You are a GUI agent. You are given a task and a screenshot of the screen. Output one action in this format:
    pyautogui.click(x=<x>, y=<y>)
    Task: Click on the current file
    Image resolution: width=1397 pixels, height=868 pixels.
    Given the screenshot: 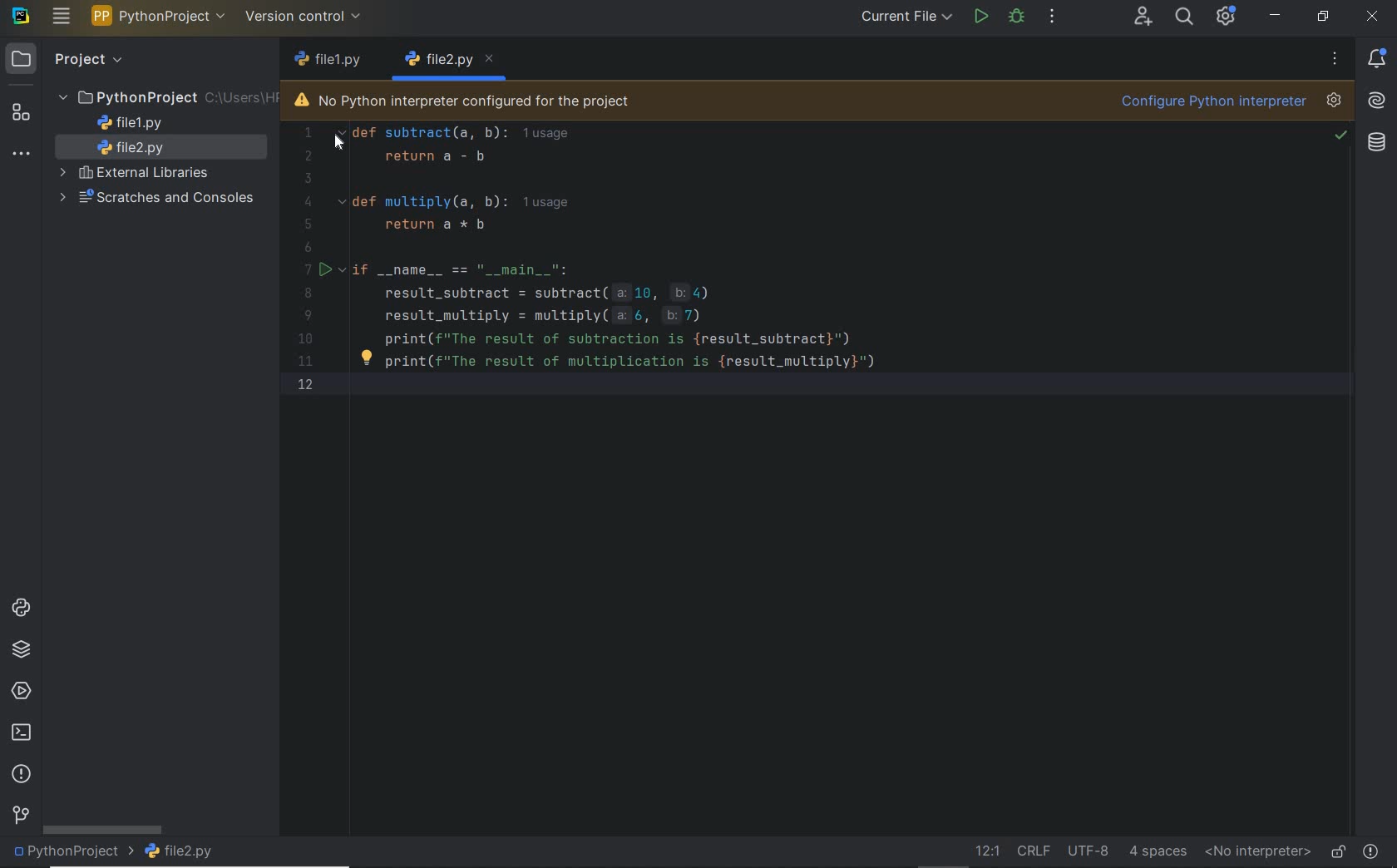 What is the action you would take?
    pyautogui.click(x=906, y=16)
    